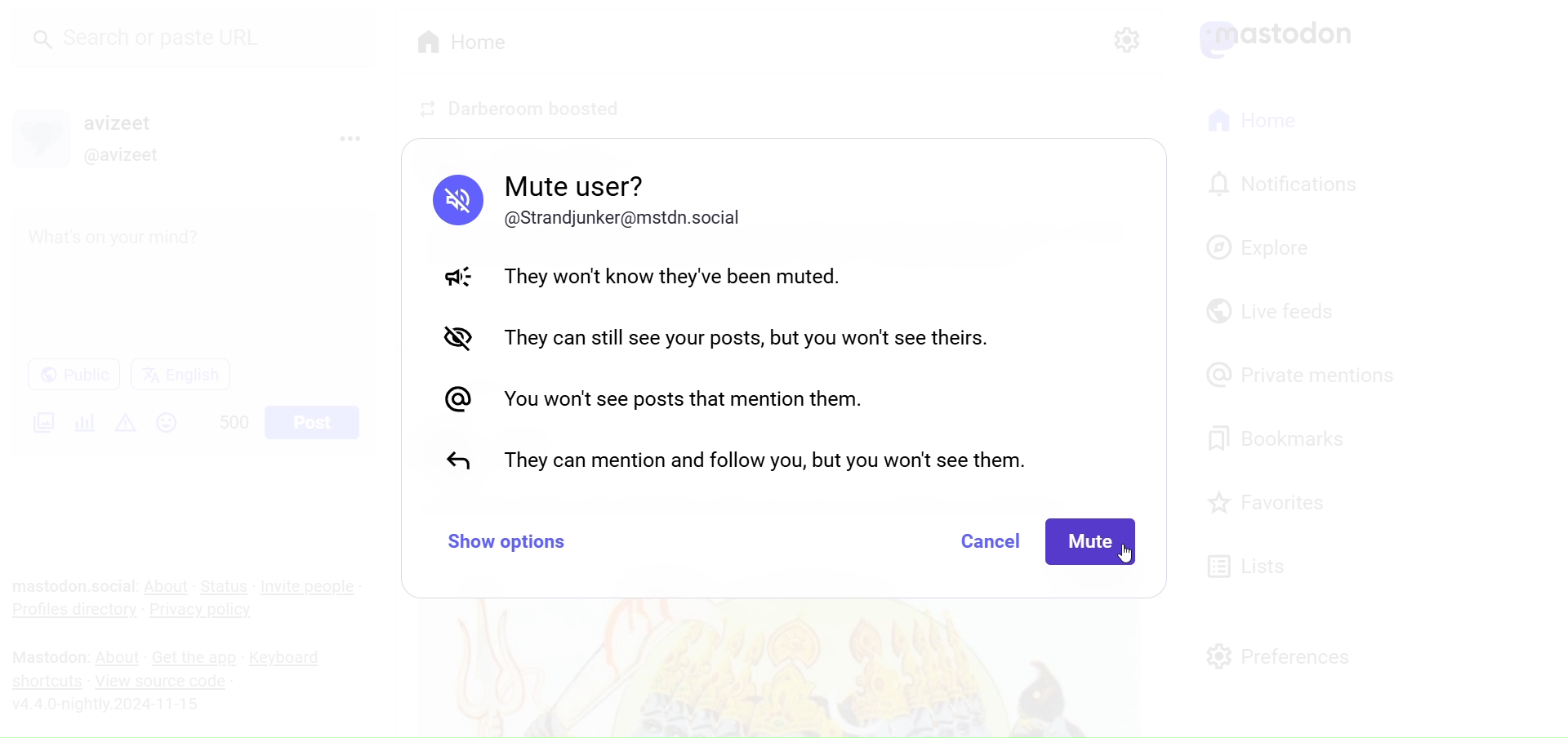 Image resolution: width=1568 pixels, height=738 pixels. Describe the element at coordinates (769, 336) in the screenshot. I see `They can still see your post` at that location.